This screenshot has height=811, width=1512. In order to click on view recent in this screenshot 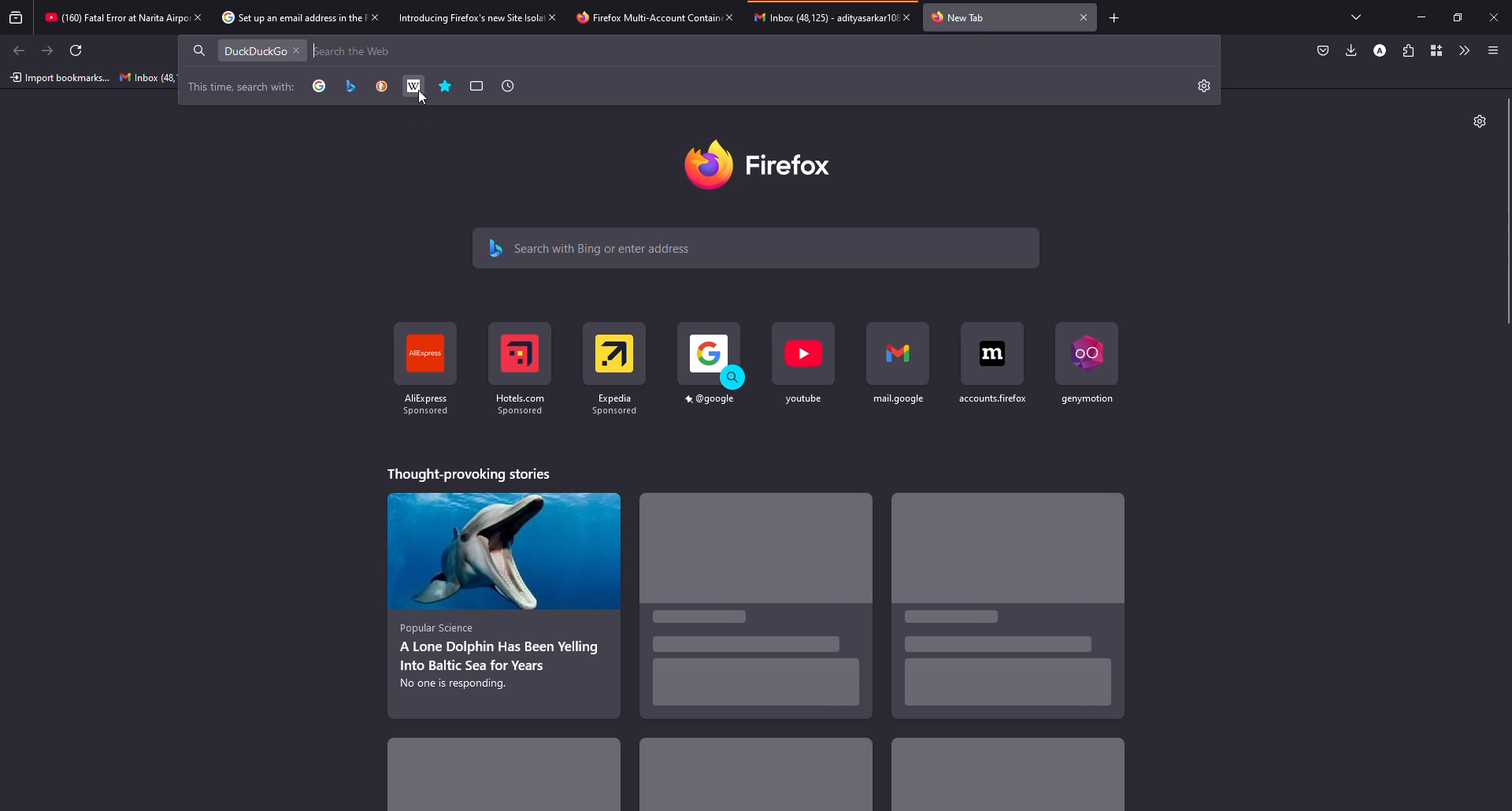, I will do `click(17, 17)`.